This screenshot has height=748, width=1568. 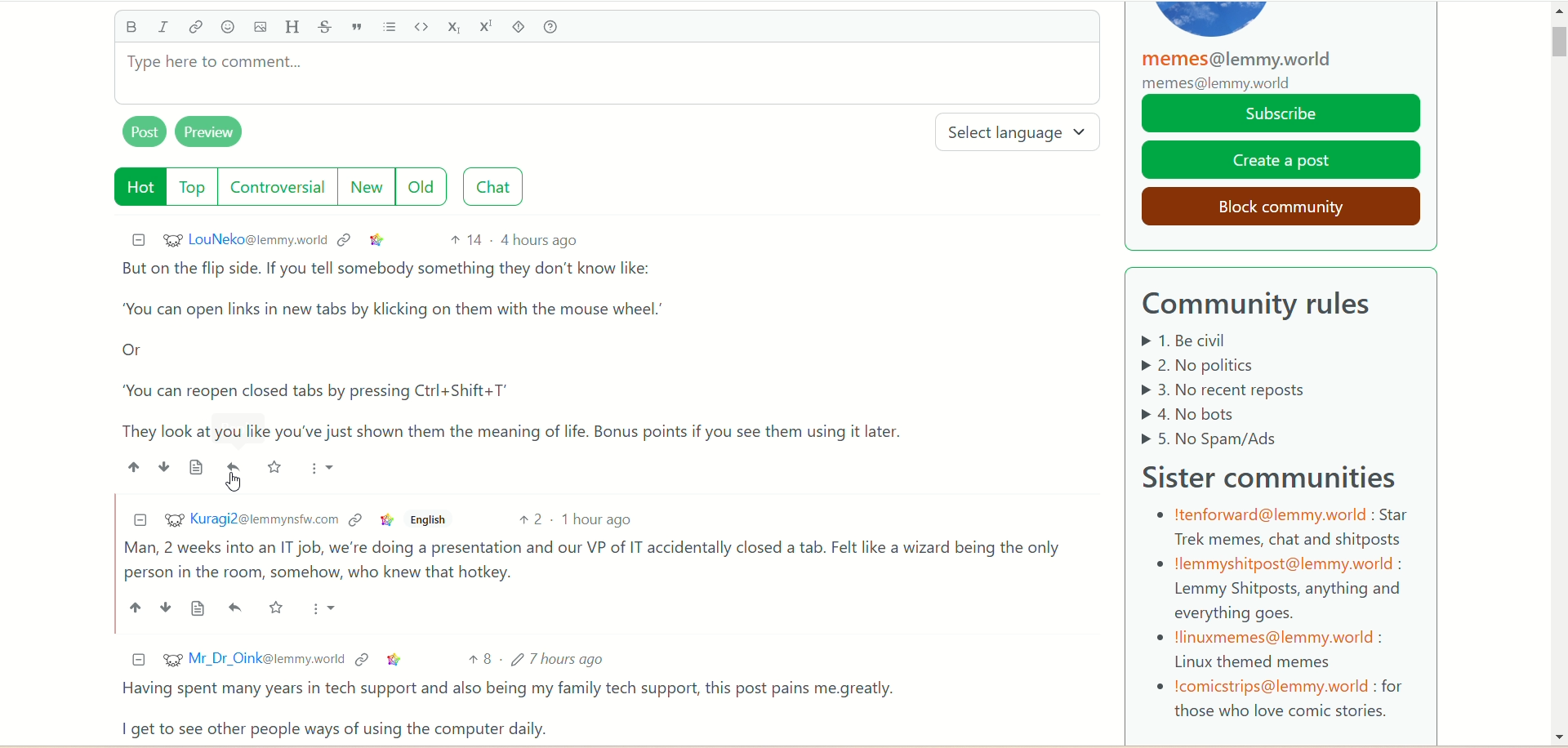 I want to click on strikethrough, so click(x=325, y=28).